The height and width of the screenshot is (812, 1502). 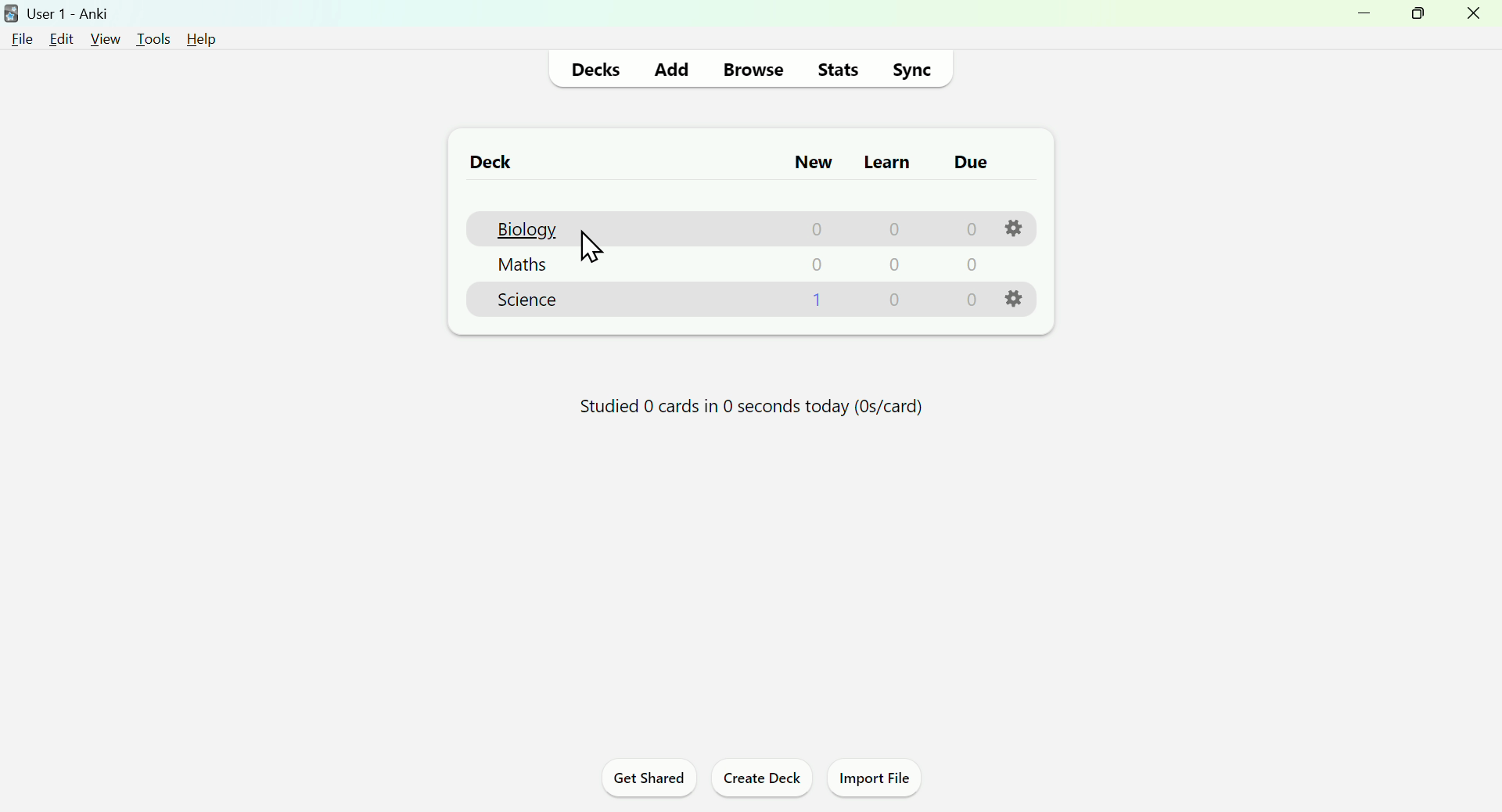 I want to click on Create Deck, so click(x=758, y=780).